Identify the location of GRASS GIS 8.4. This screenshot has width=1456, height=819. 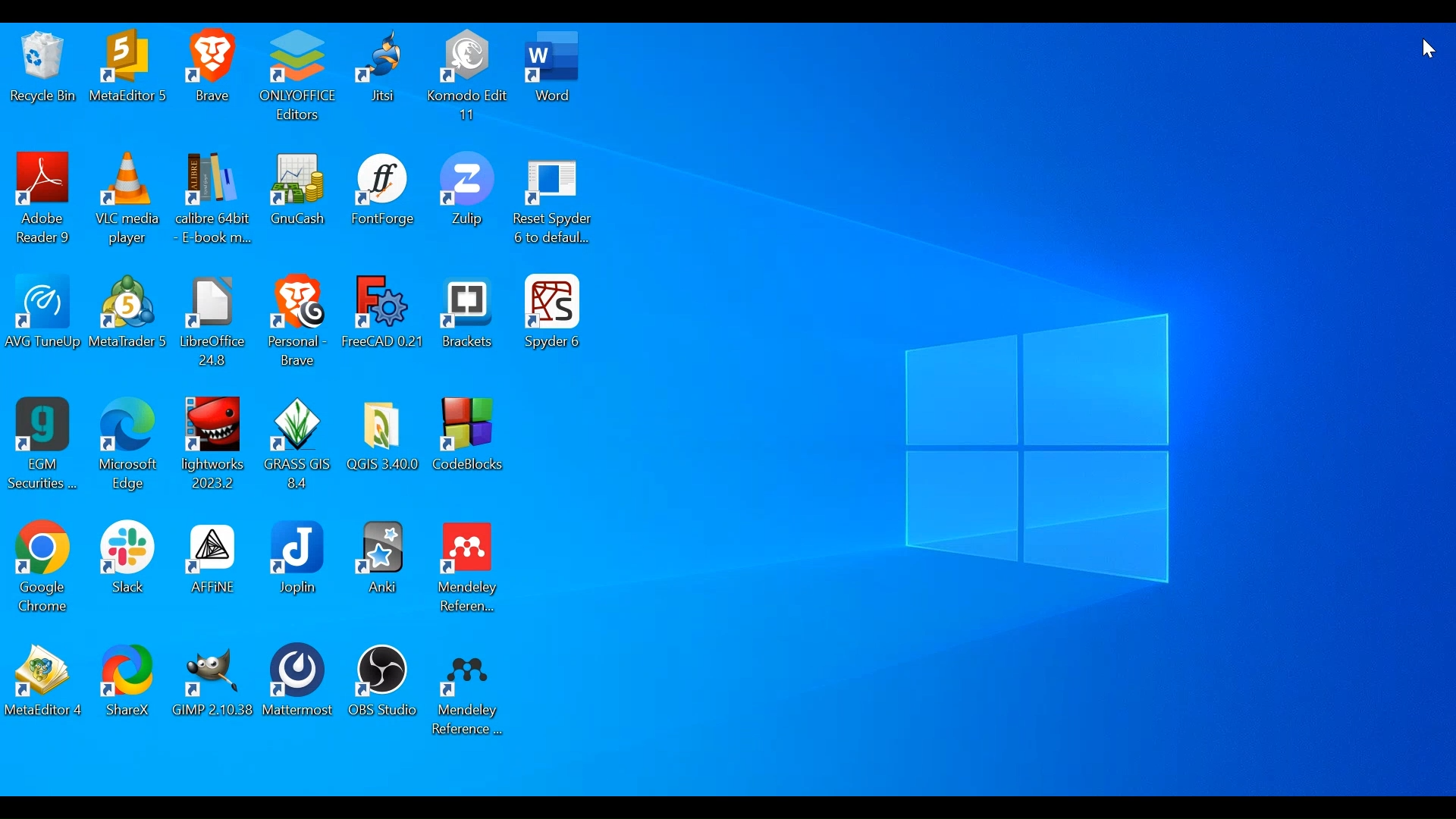
(299, 446).